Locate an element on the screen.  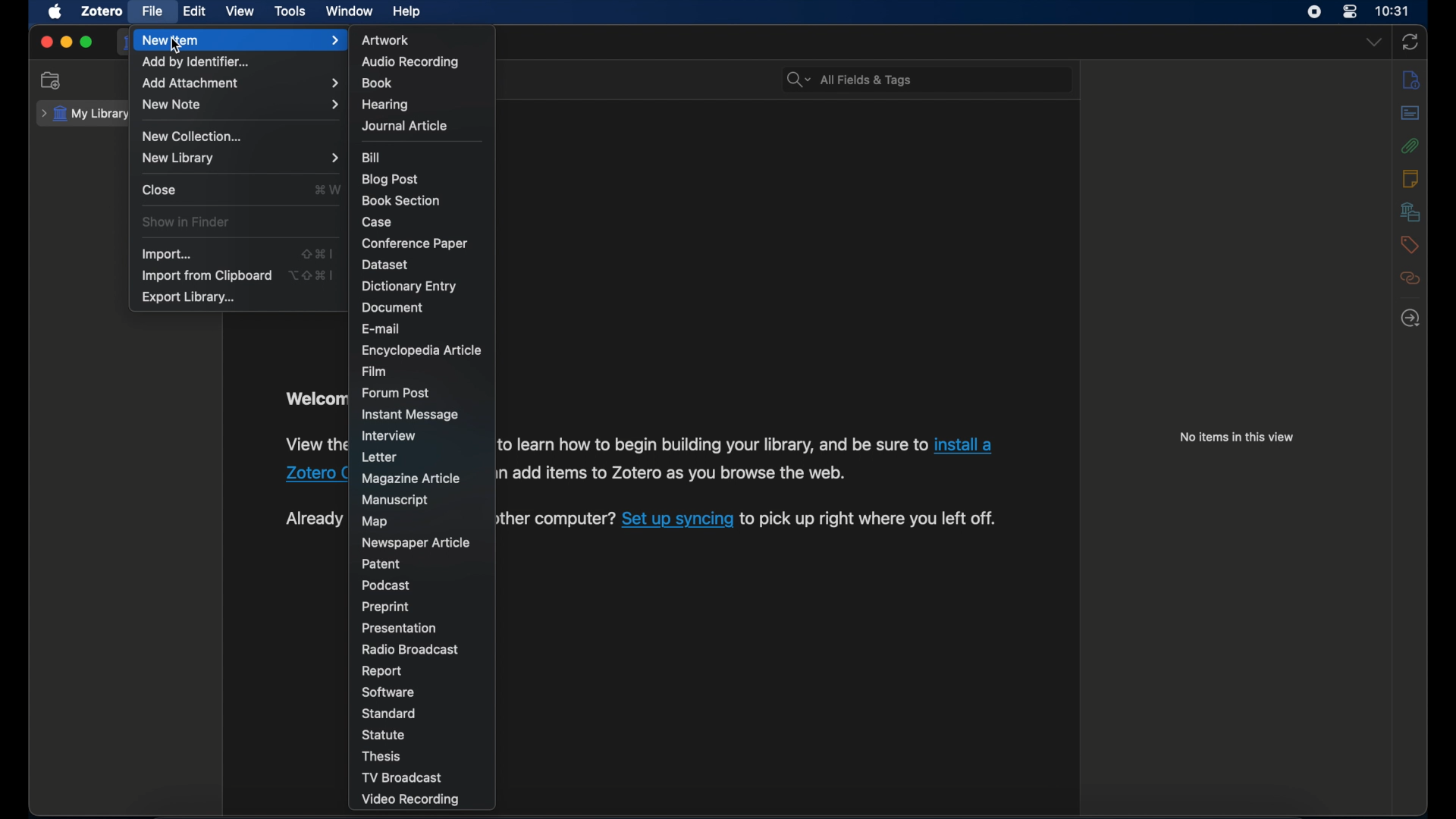
magazine article is located at coordinates (409, 479).